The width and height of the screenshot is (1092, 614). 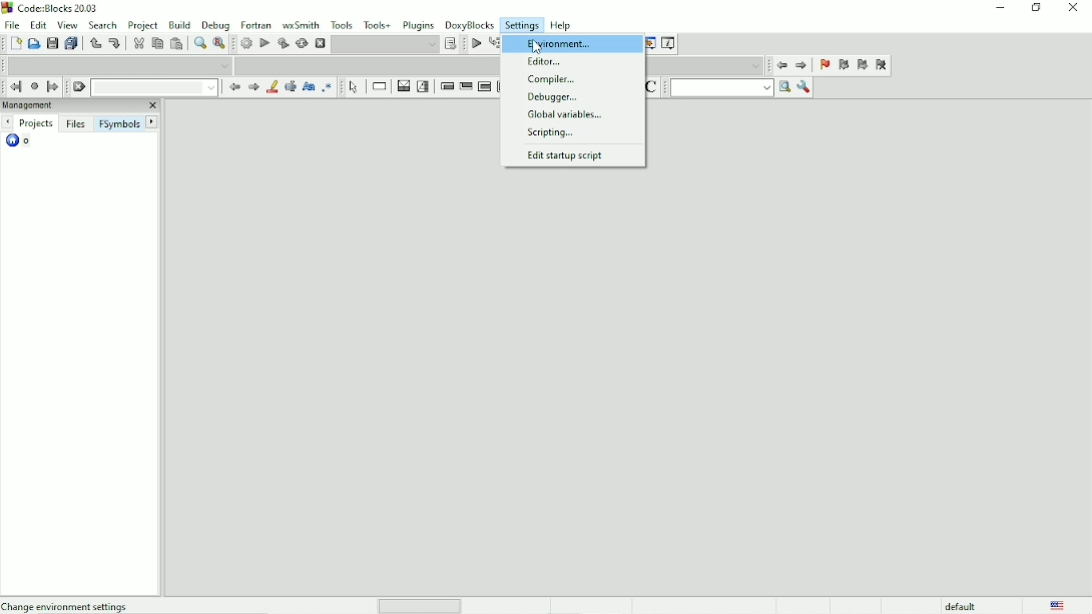 What do you see at coordinates (308, 87) in the screenshot?
I see `Match case` at bounding box center [308, 87].